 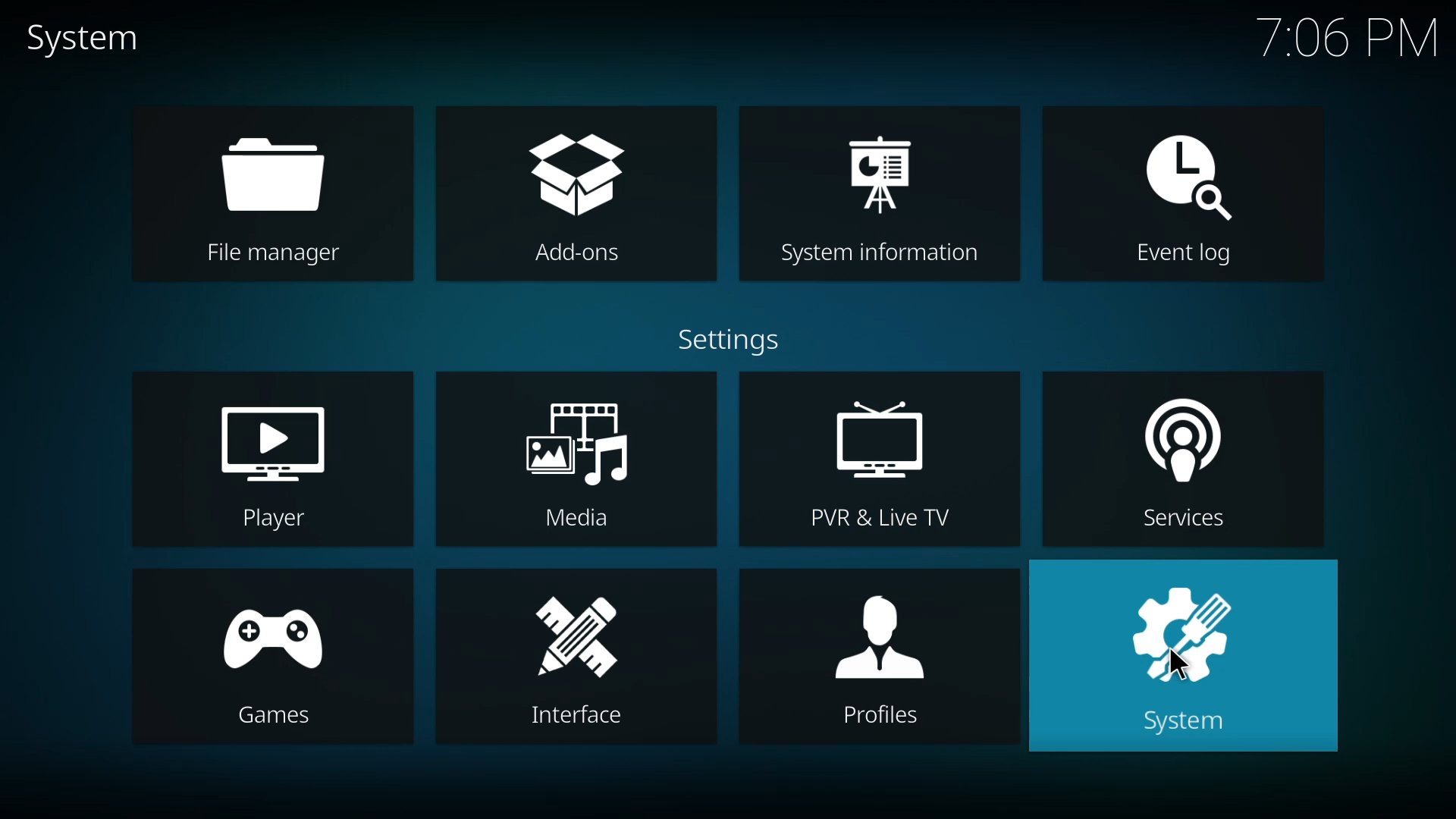 I want to click on time, so click(x=1348, y=37).